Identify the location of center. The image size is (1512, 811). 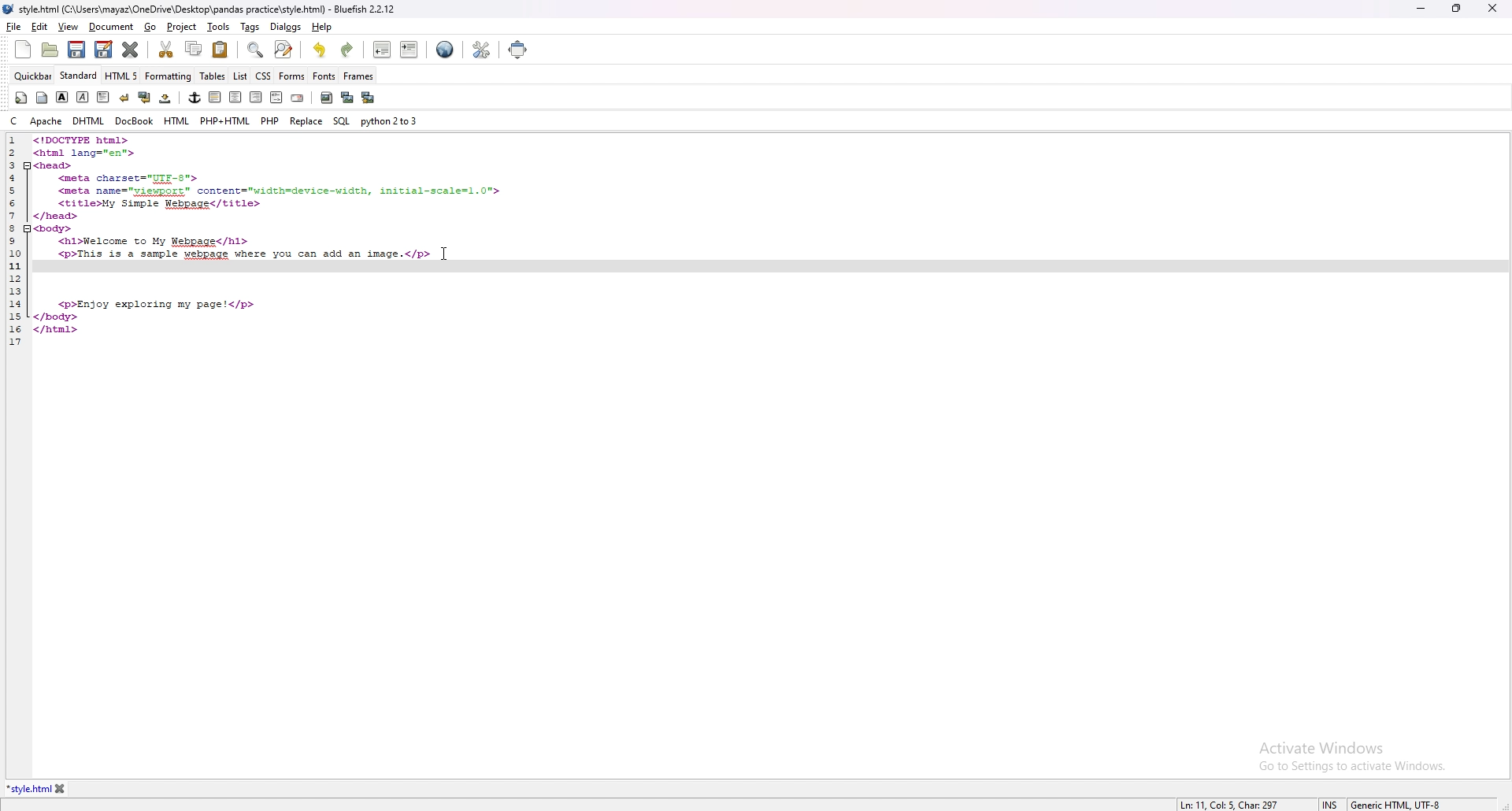
(235, 97).